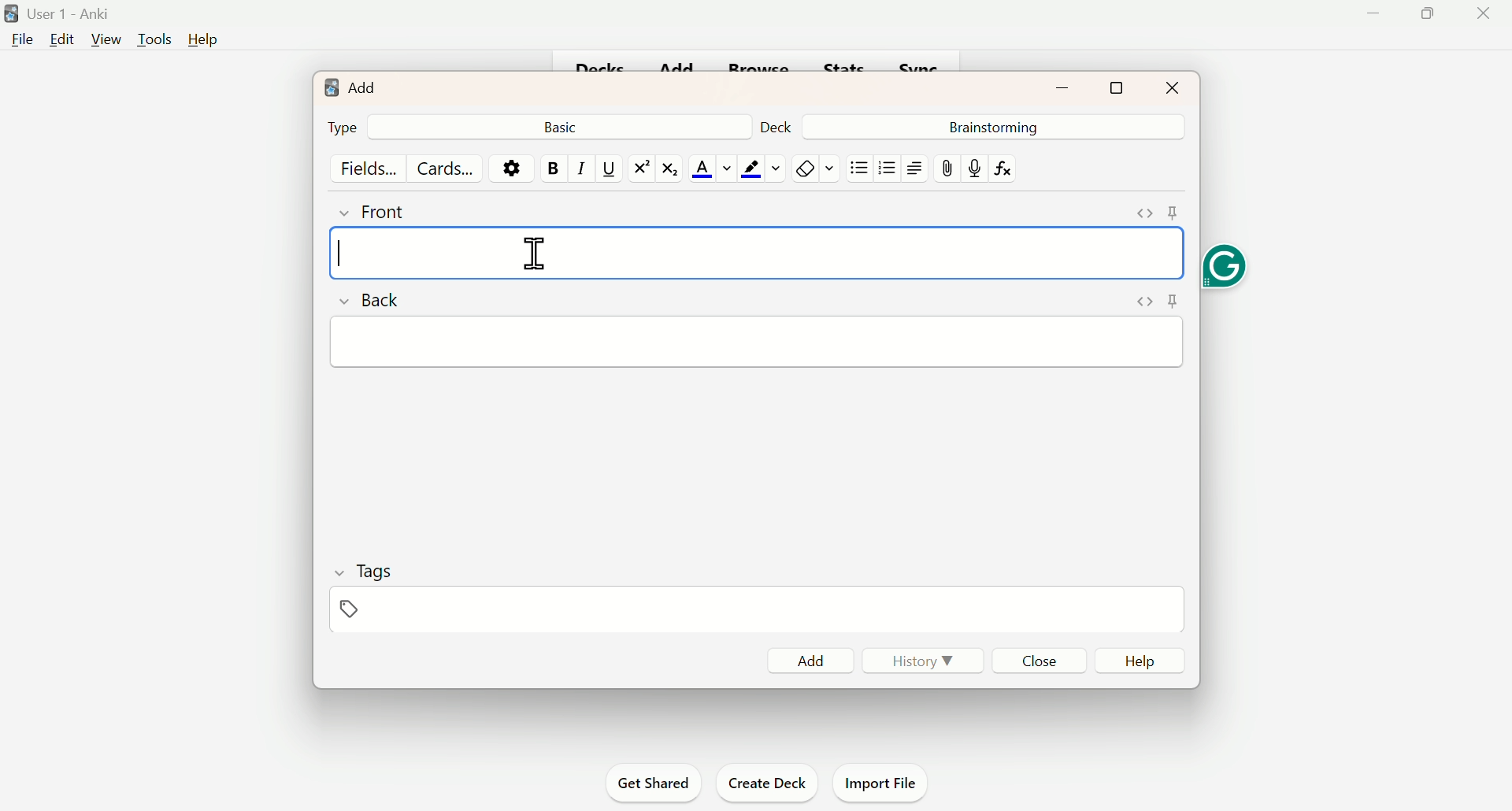 The width and height of the screenshot is (1512, 811). I want to click on Import File, so click(882, 780).